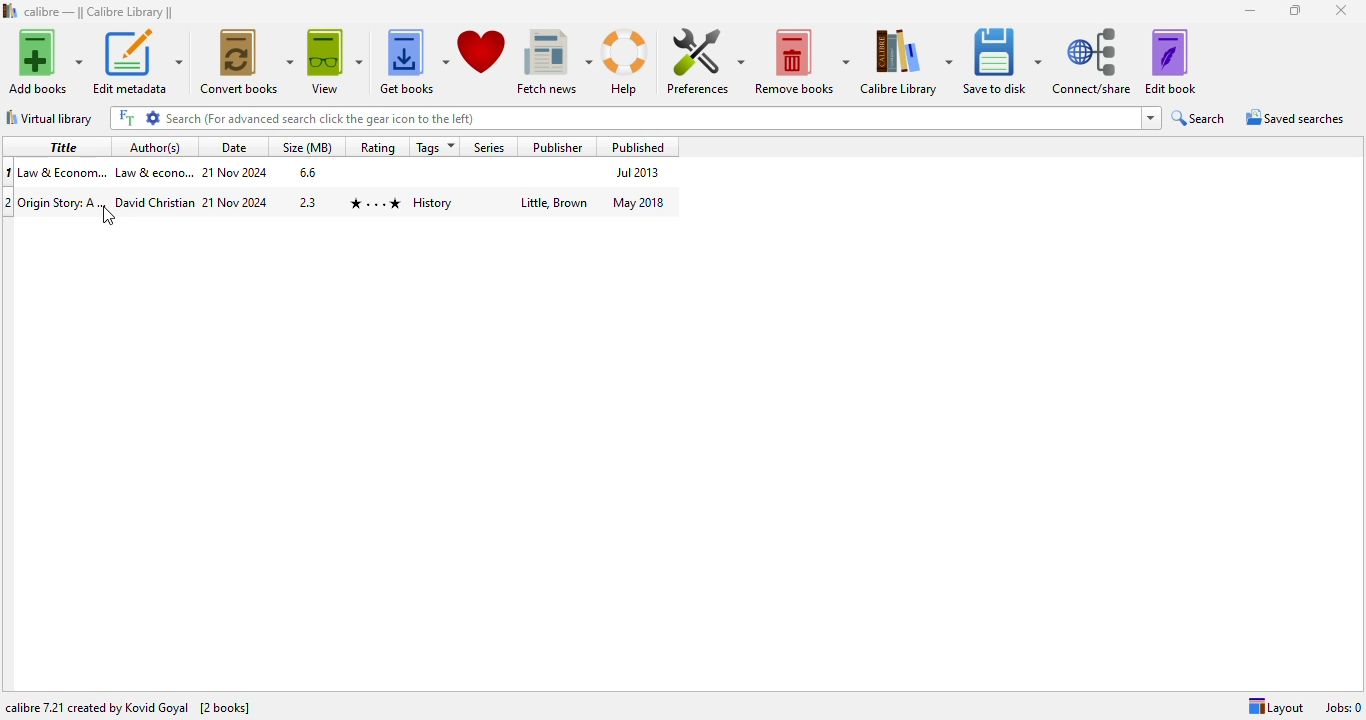  I want to click on published, so click(634, 147).